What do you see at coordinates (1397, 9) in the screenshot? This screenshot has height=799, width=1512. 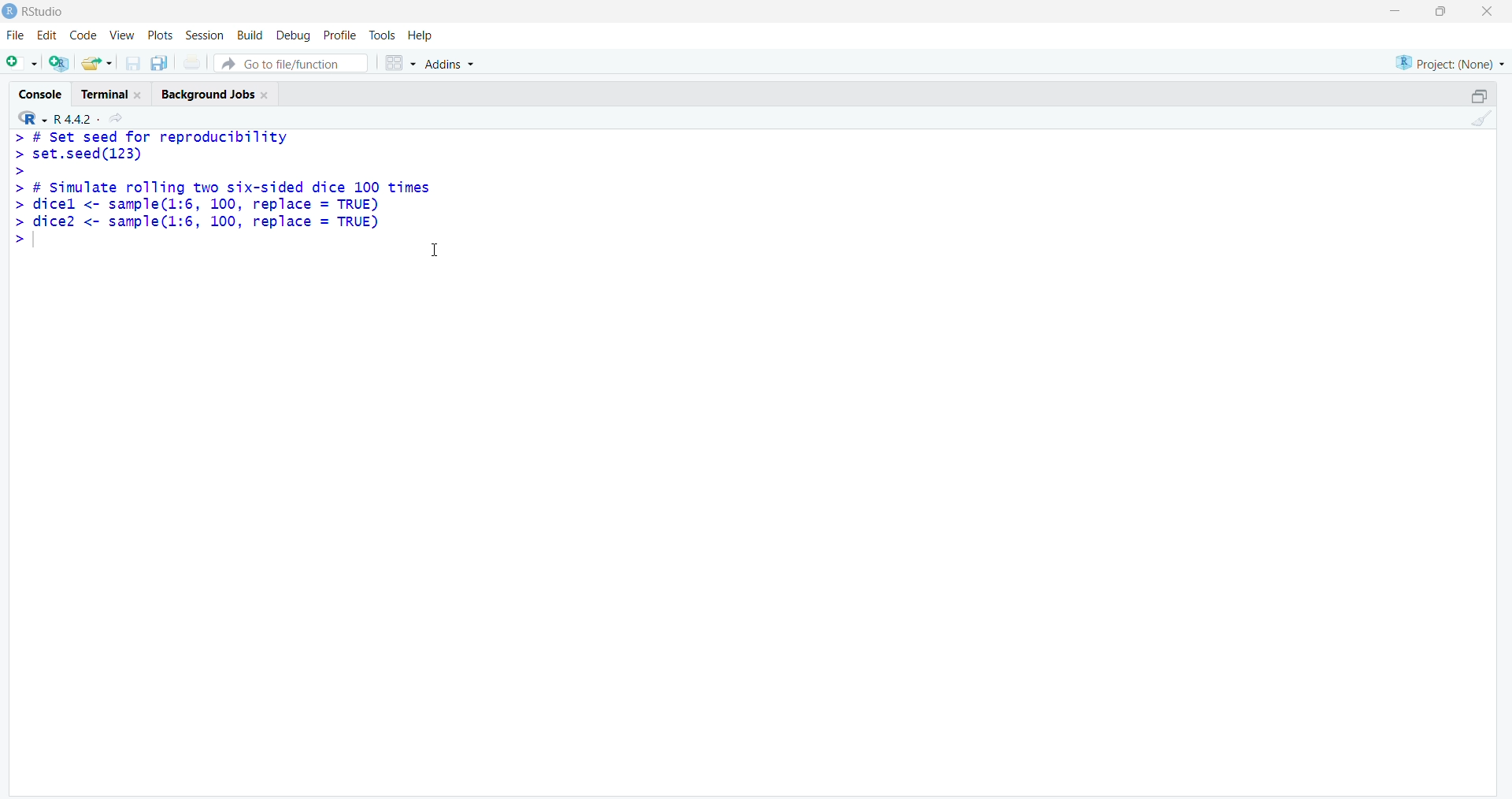 I see `minimise` at bounding box center [1397, 9].